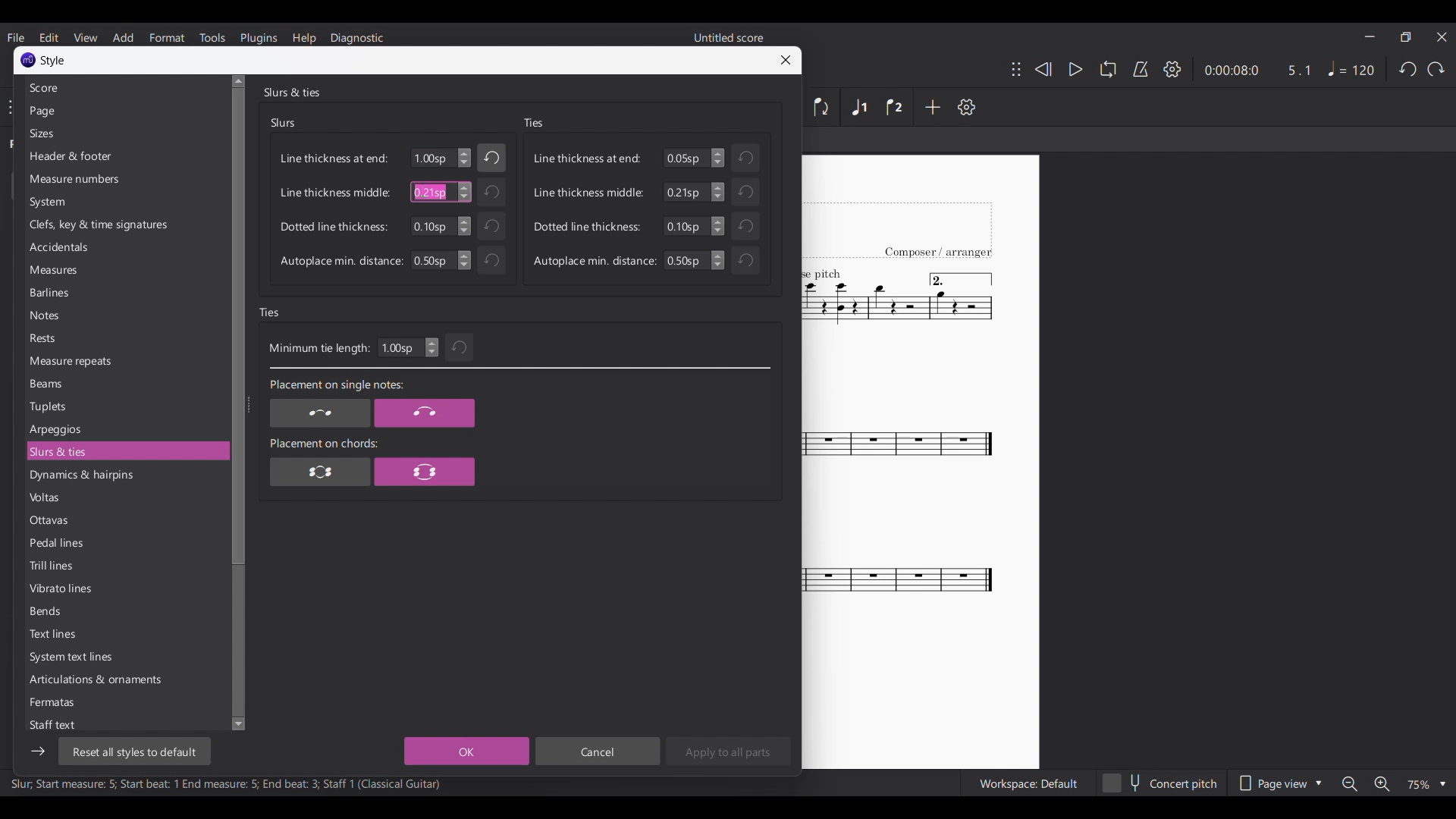  I want to click on Tempo, so click(1351, 69).